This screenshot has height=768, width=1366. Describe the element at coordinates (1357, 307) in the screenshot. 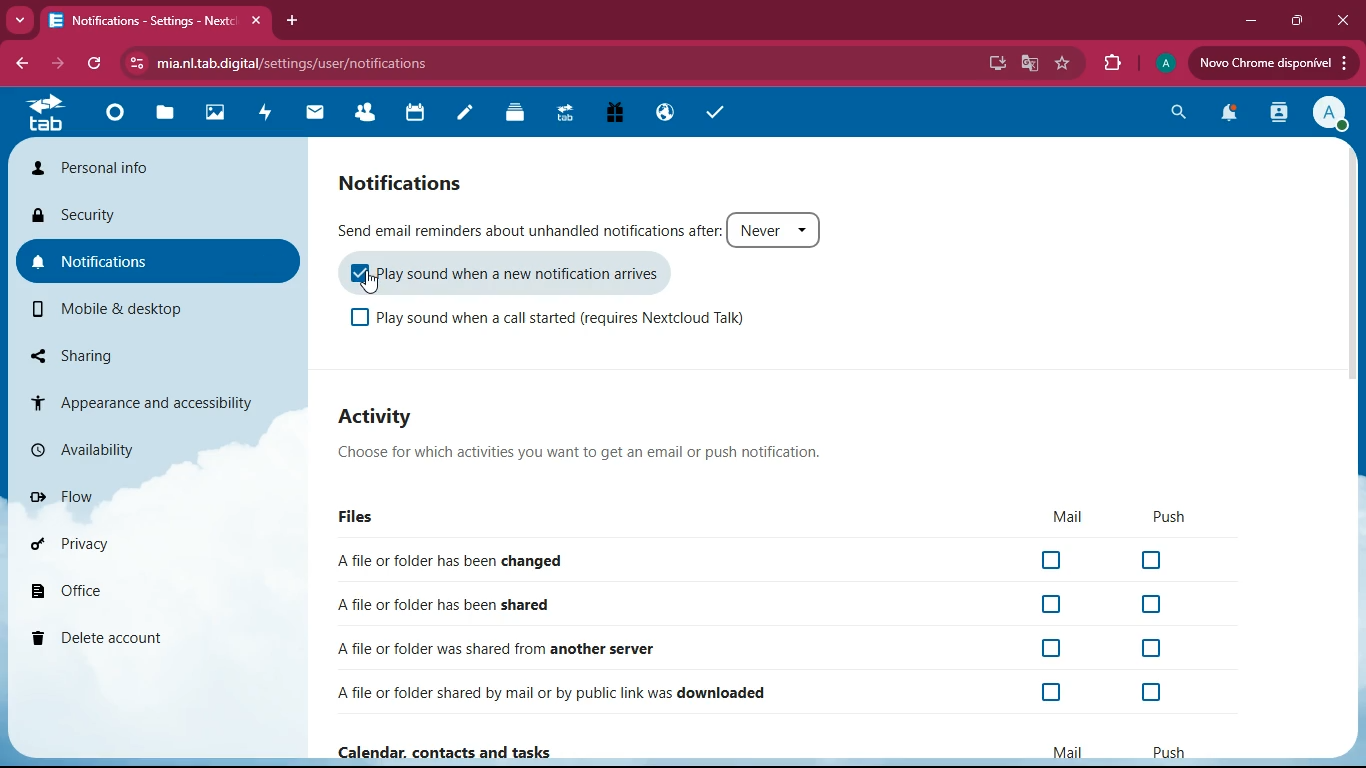

I see `scroll bar` at that location.